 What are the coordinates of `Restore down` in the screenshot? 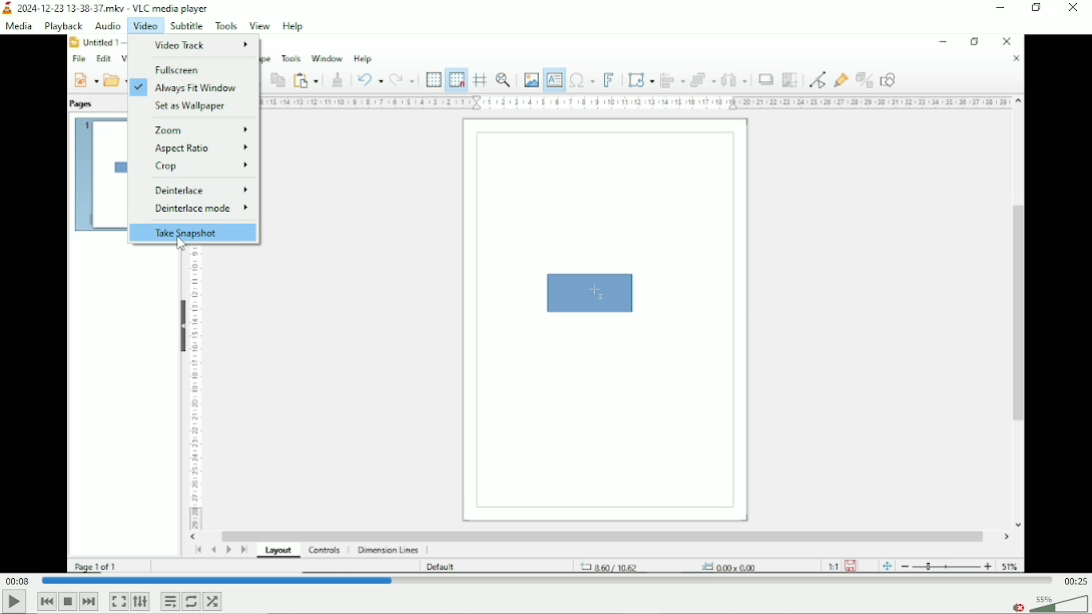 It's located at (1038, 8).